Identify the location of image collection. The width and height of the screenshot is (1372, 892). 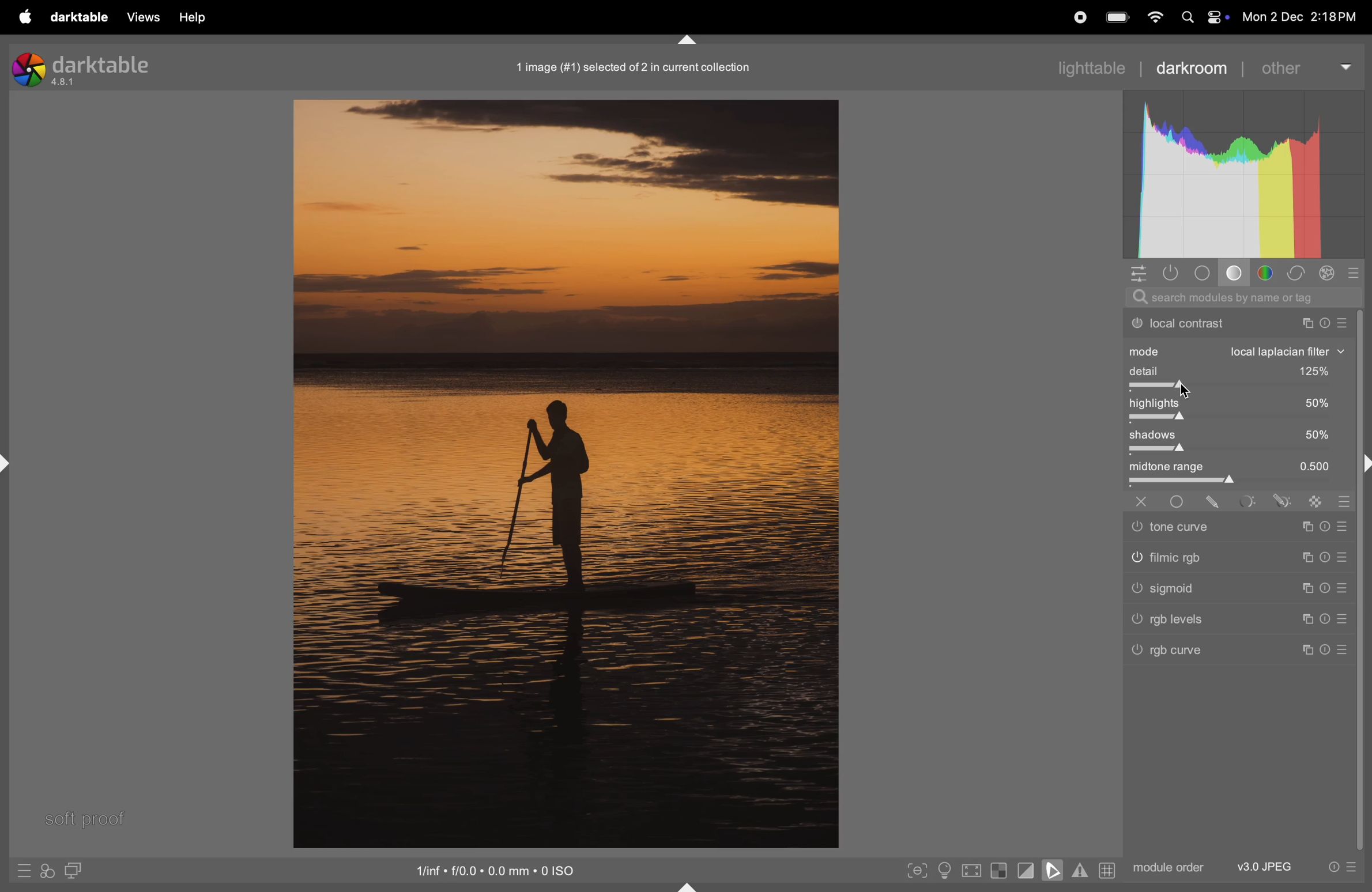
(634, 67).